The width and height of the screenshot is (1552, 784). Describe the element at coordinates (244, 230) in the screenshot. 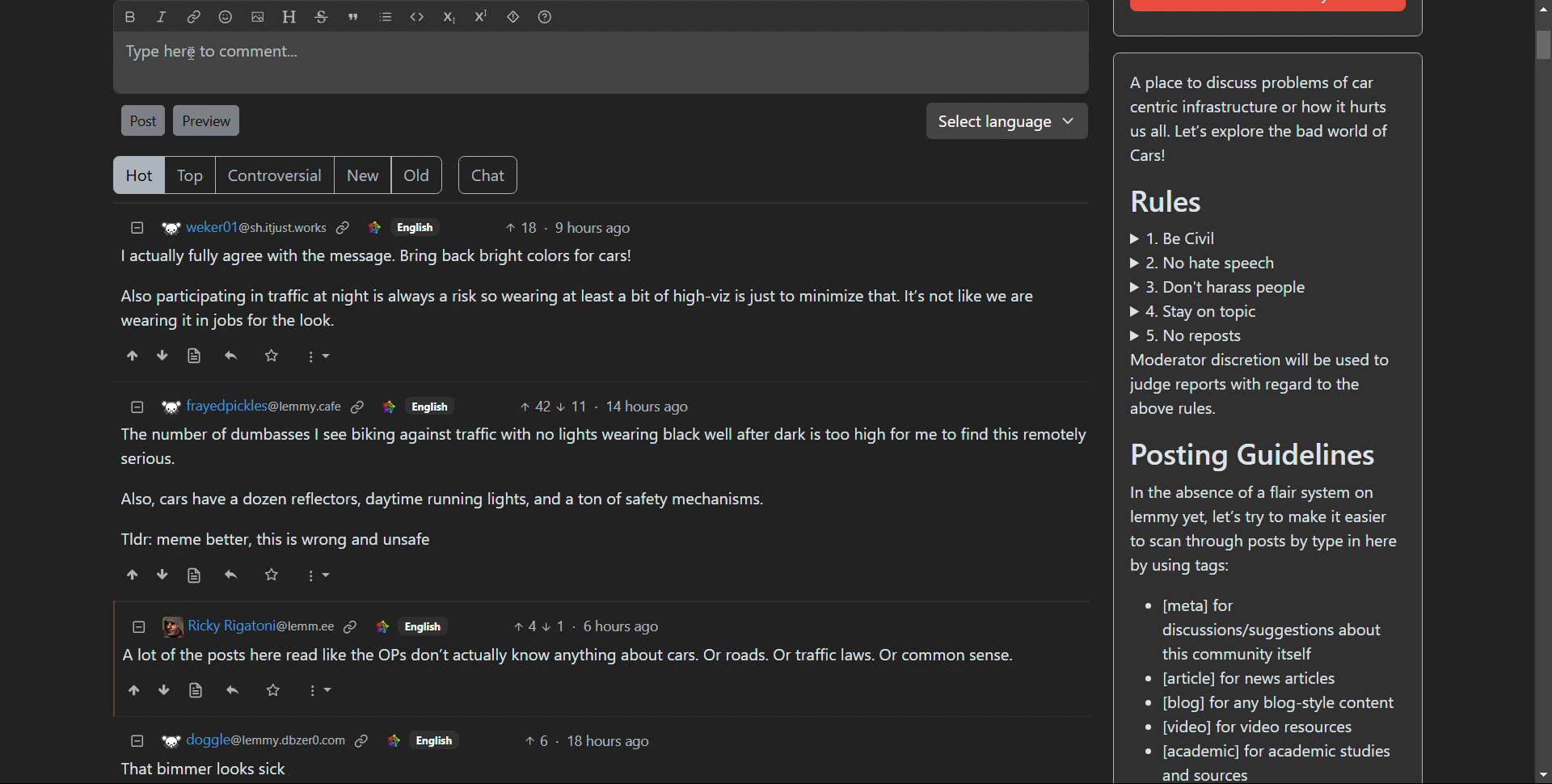

I see `'®" weker01@sh.itjustworks` at that location.